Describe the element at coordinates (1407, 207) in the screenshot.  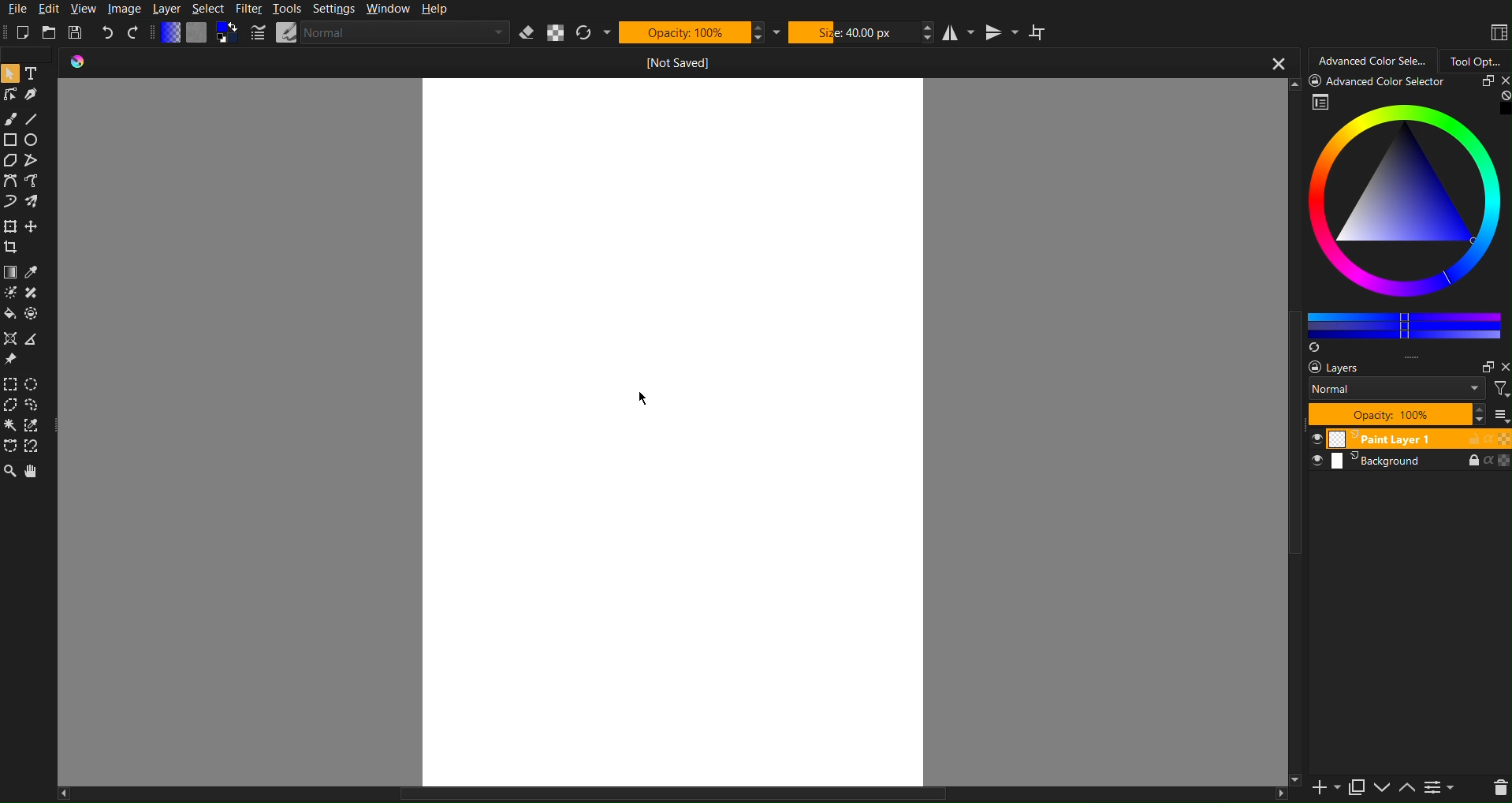
I see `color spectrum` at that location.